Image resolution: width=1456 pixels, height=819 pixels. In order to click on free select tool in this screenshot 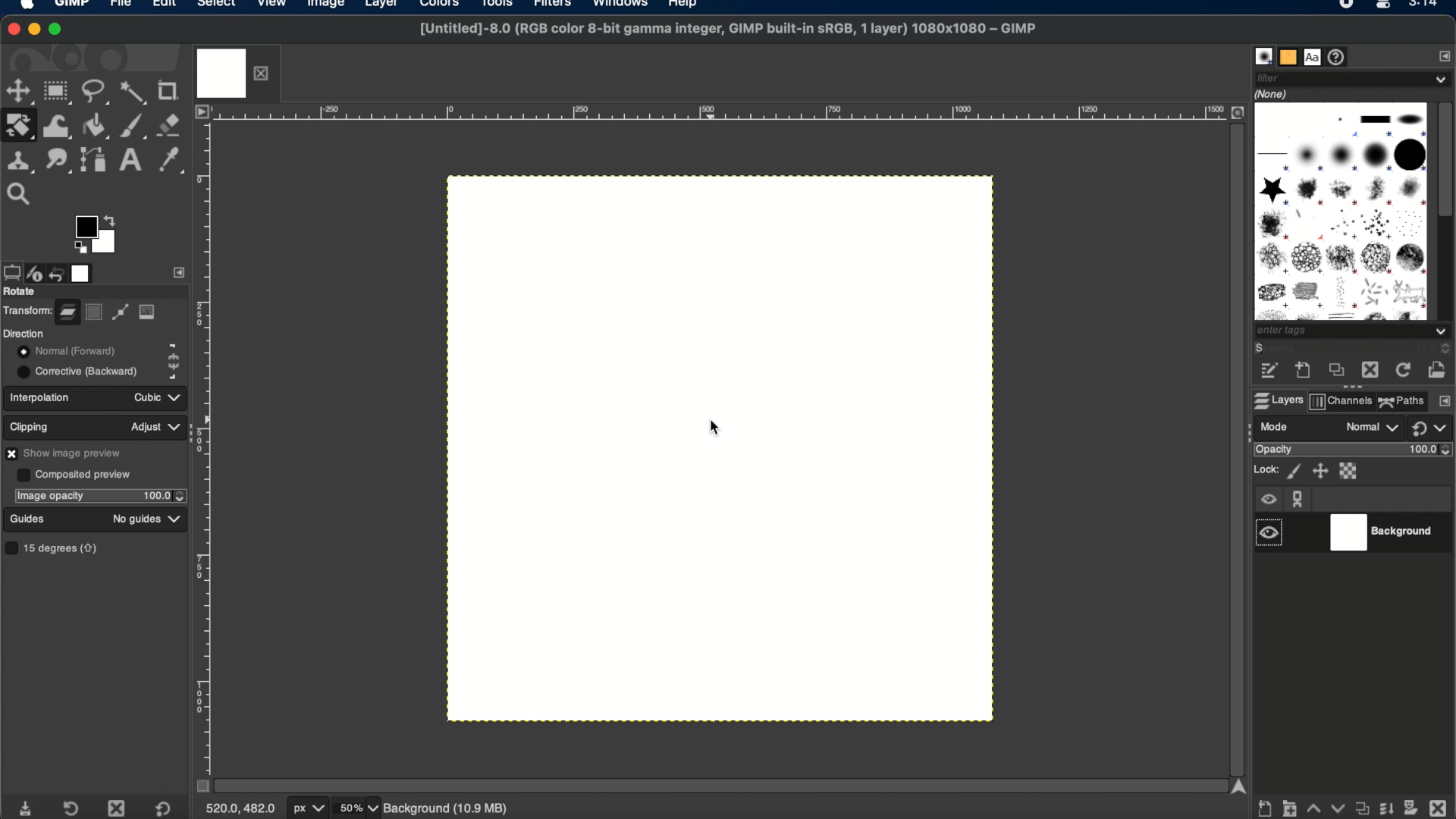, I will do `click(96, 93)`.